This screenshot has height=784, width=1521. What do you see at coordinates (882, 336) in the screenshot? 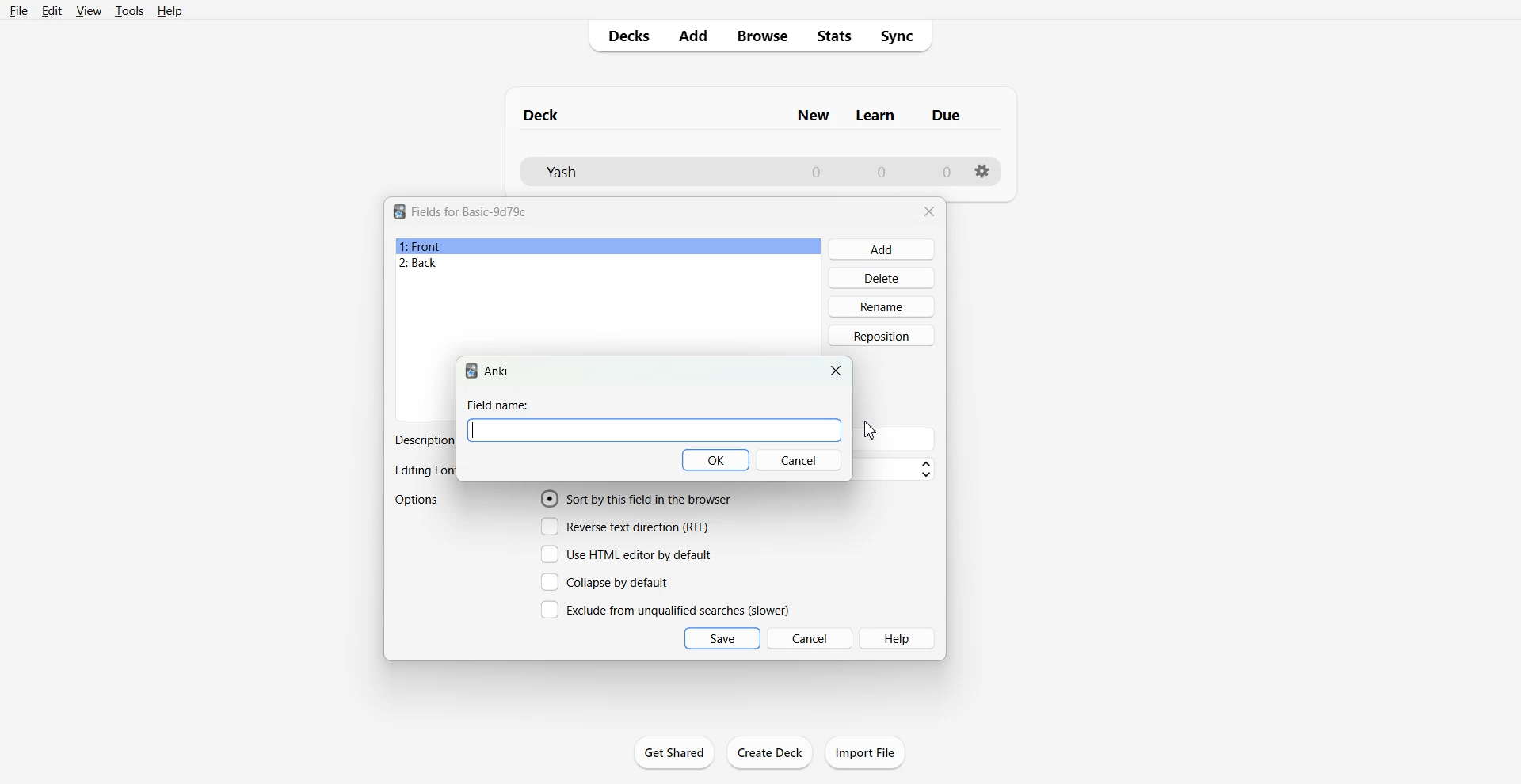
I see `Reposition` at bounding box center [882, 336].